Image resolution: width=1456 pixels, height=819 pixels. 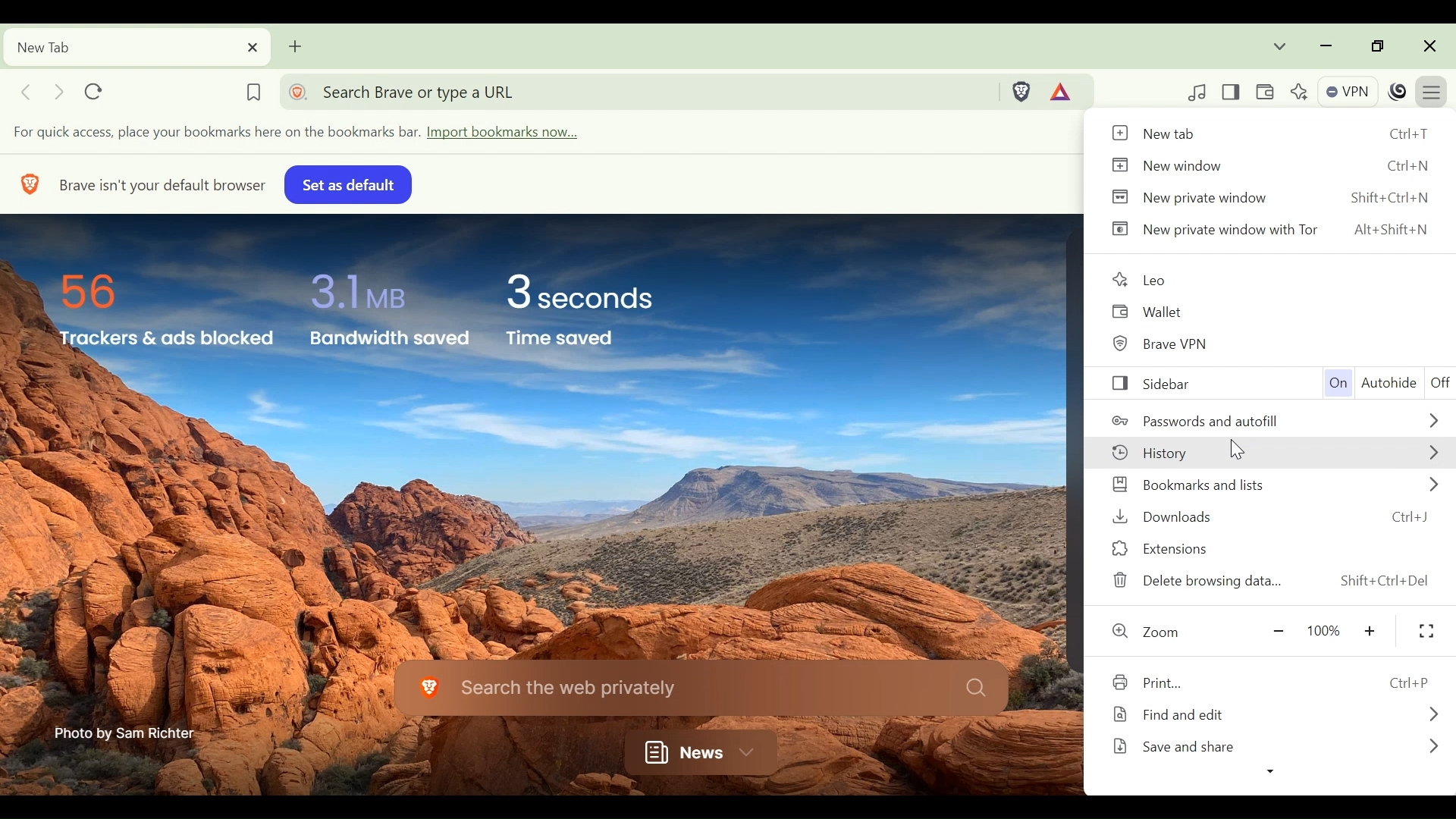 I want to click on Current tab, so click(x=135, y=47).